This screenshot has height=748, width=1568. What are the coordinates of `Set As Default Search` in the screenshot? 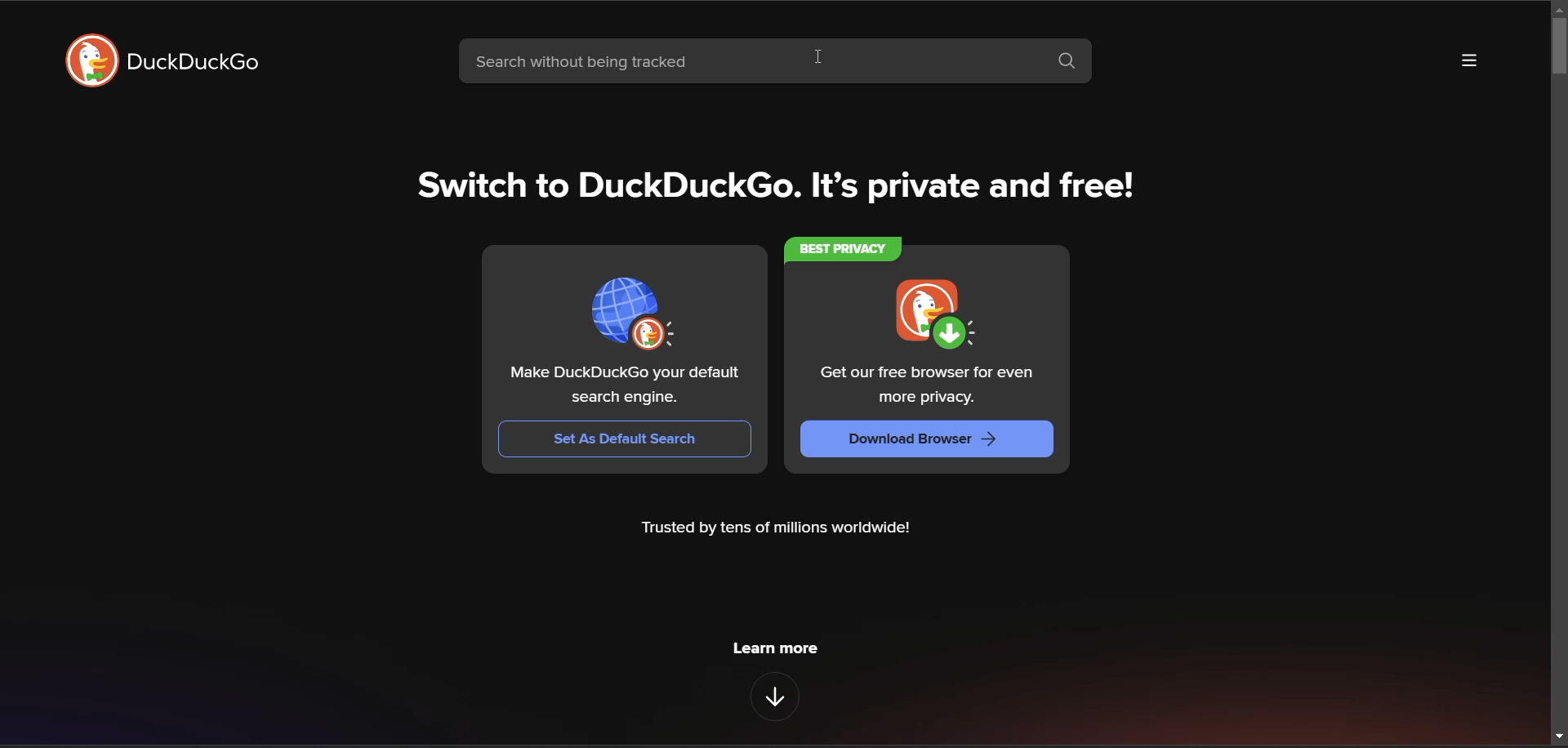 It's located at (624, 439).